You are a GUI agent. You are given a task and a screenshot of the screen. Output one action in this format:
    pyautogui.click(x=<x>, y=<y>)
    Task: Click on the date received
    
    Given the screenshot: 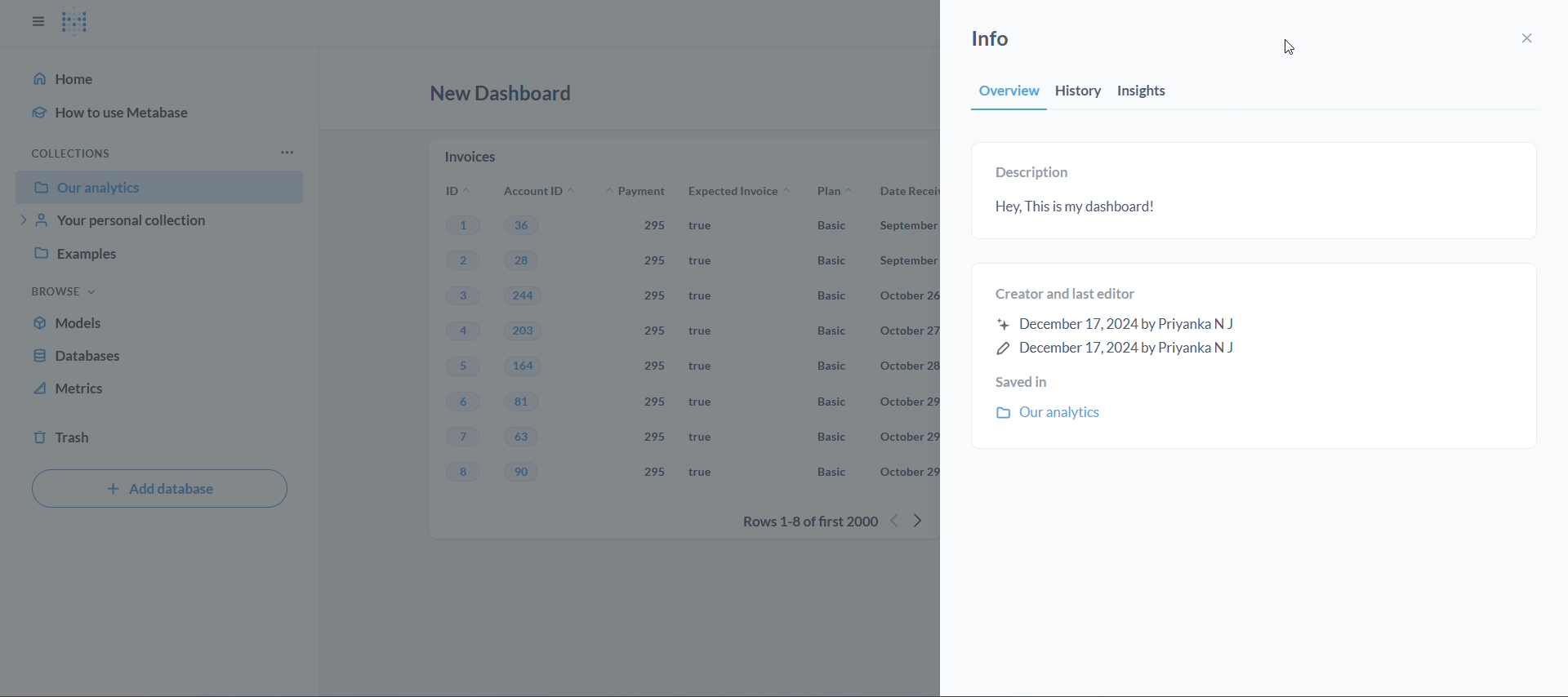 What is the action you would take?
    pyautogui.click(x=904, y=194)
    